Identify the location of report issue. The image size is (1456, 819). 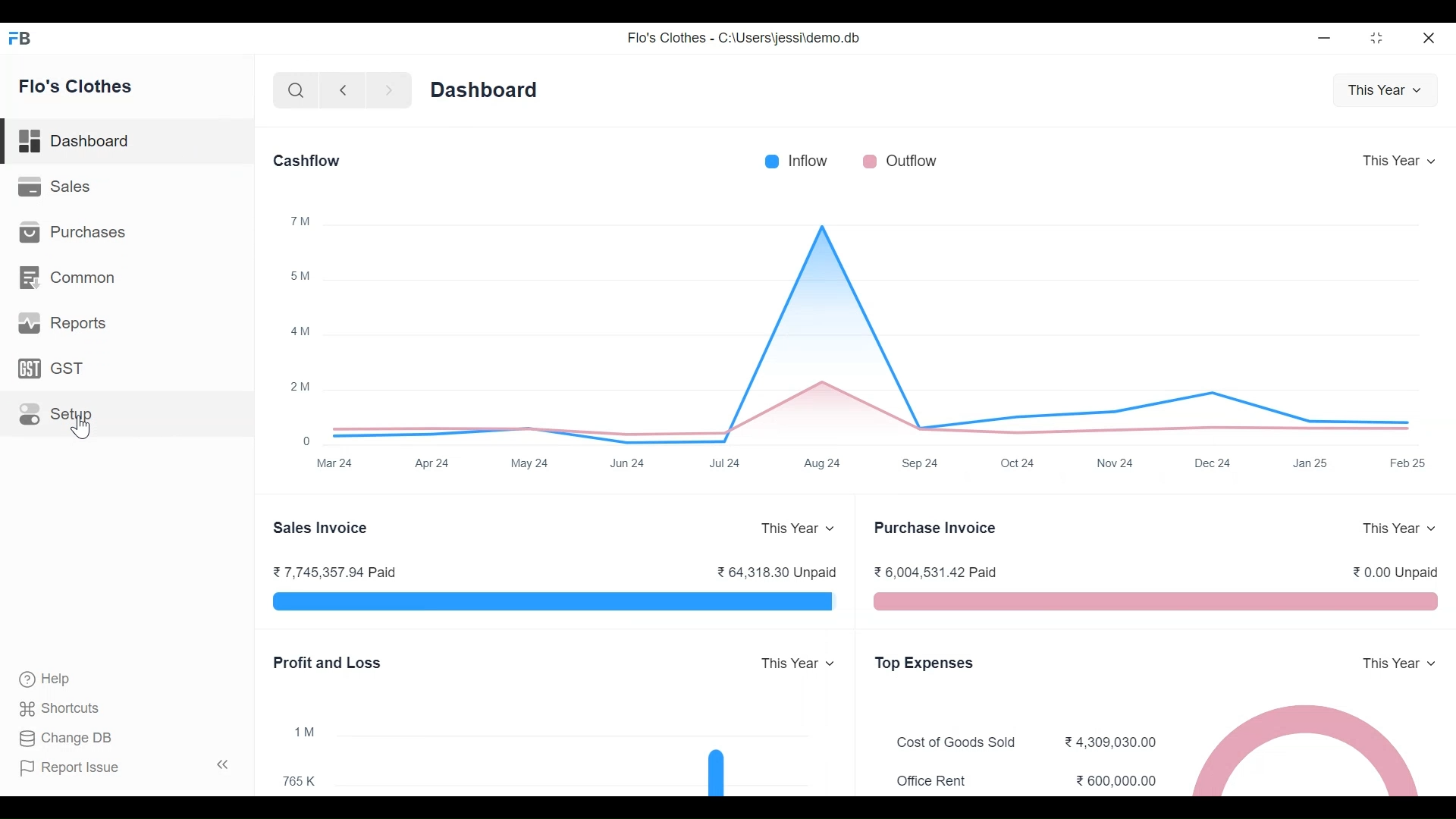
(70, 768).